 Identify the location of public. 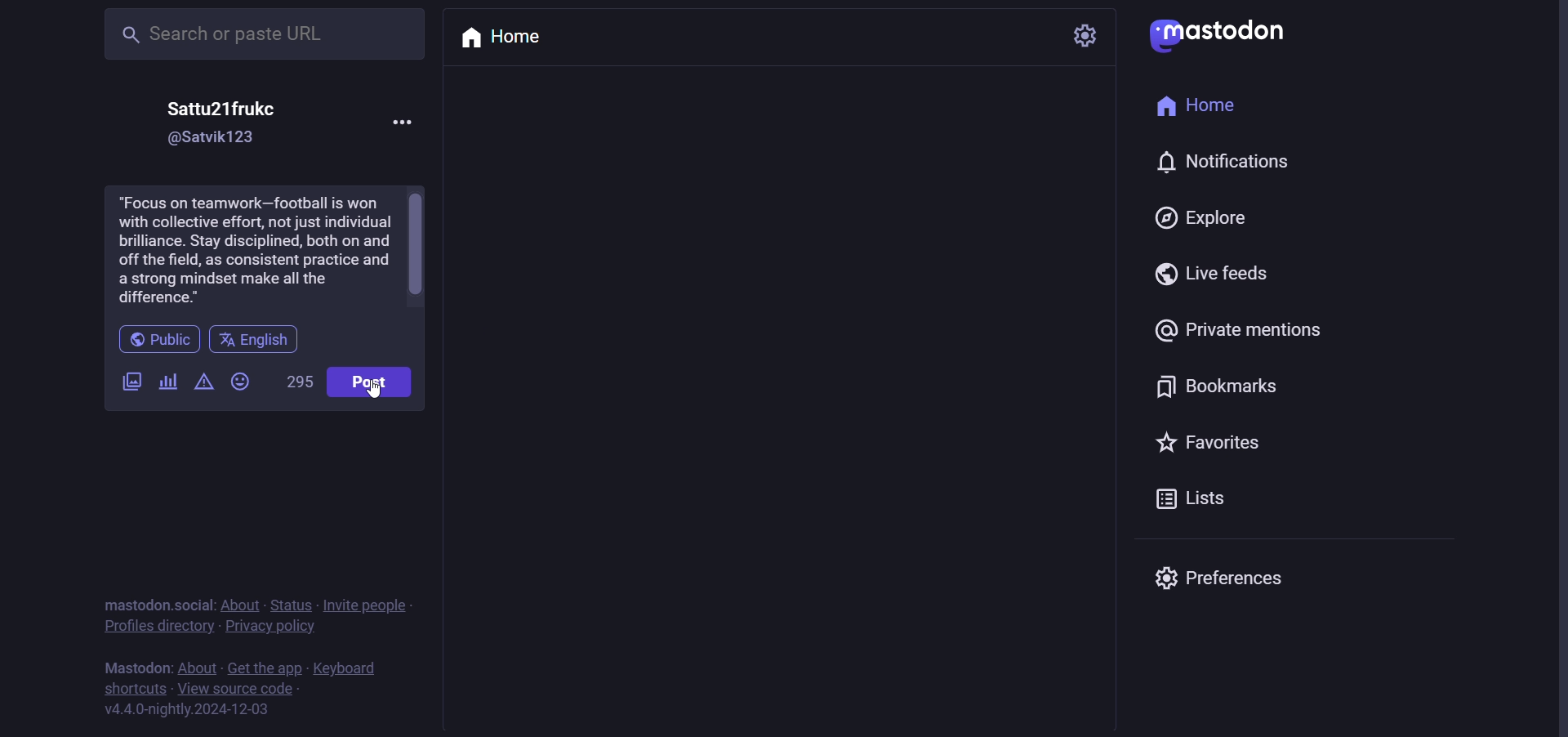
(158, 337).